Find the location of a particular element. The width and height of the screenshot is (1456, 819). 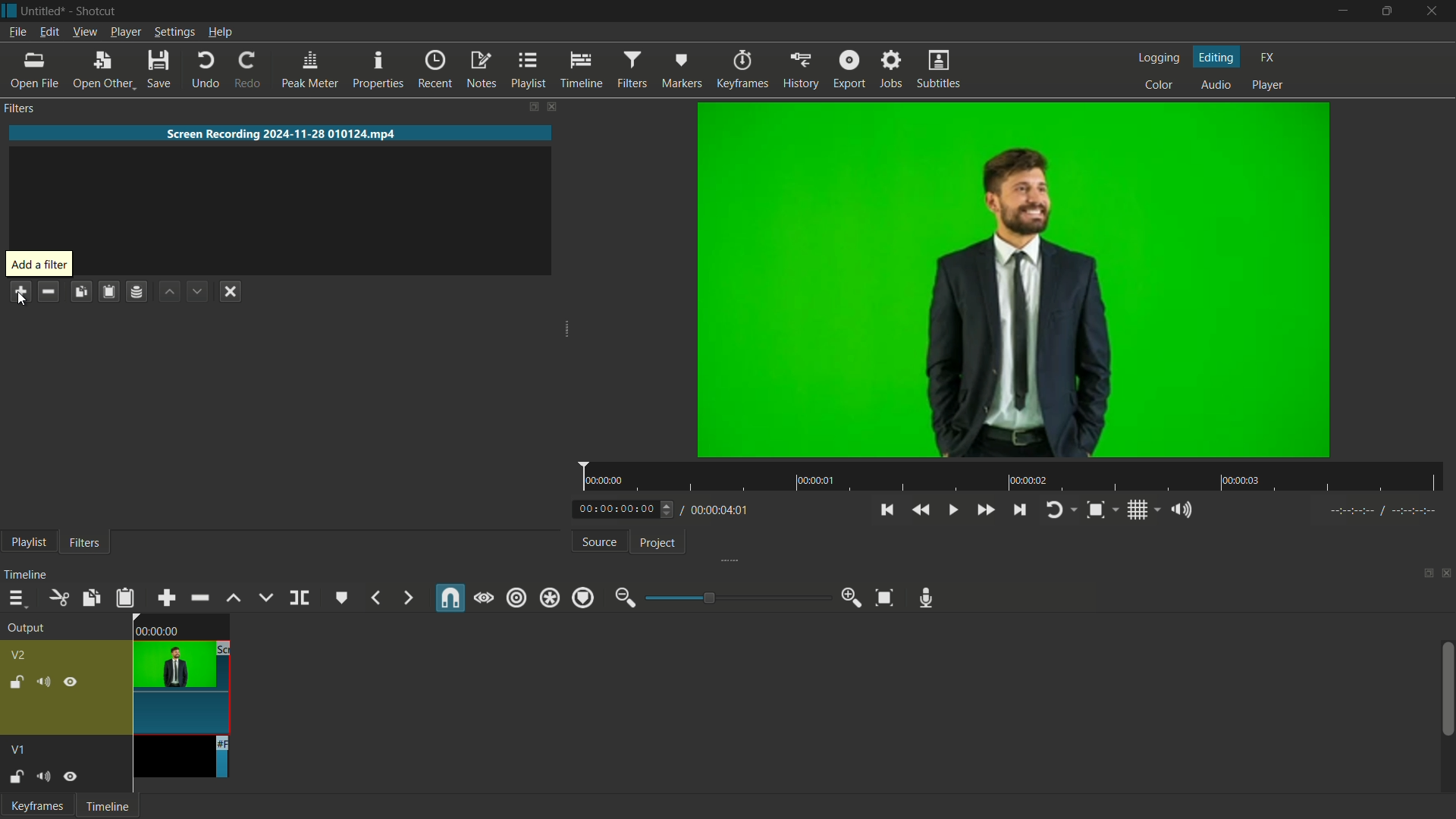

fx is located at coordinates (1267, 58).